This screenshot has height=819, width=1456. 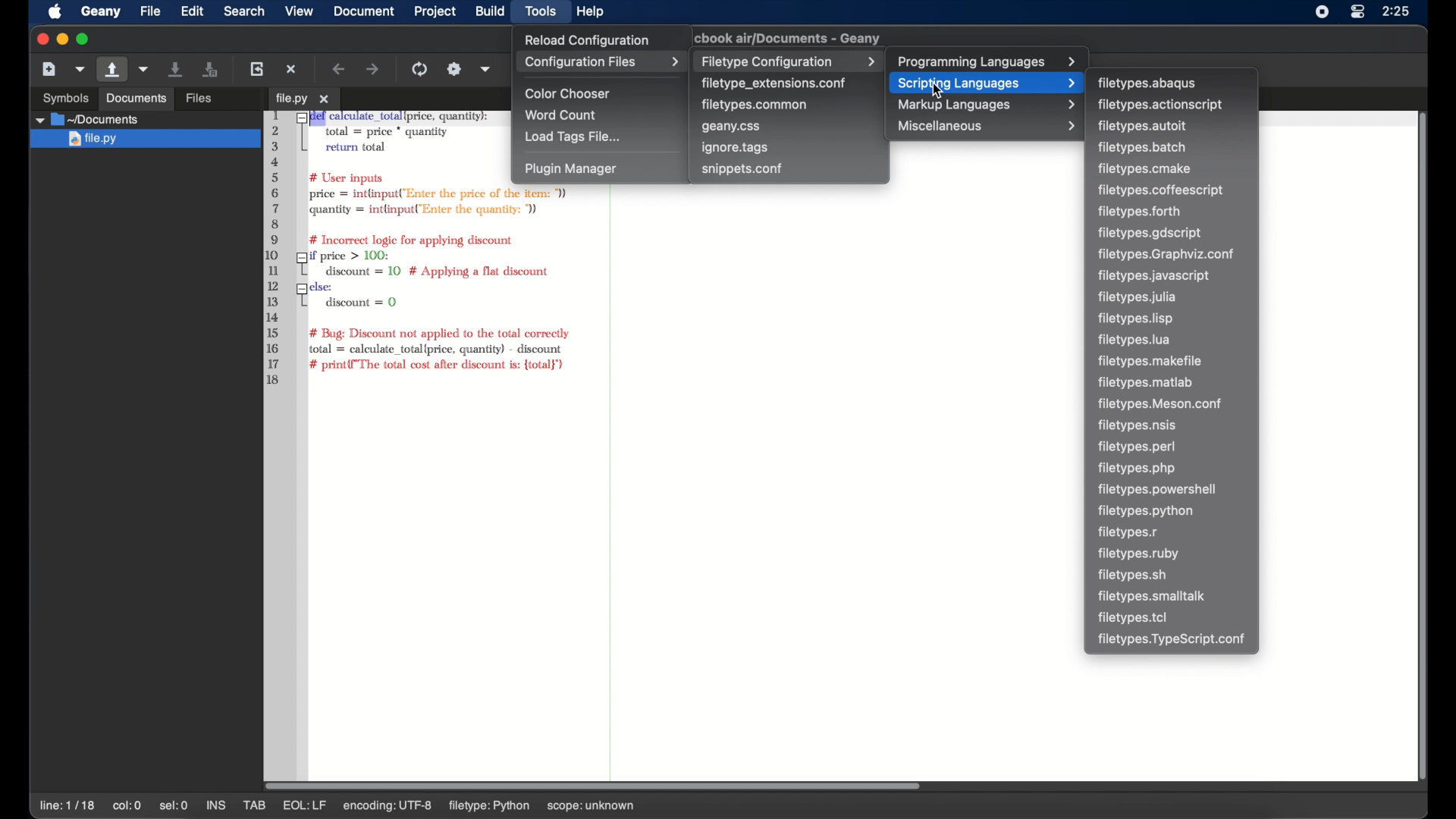 I want to click on geany, so click(x=792, y=38).